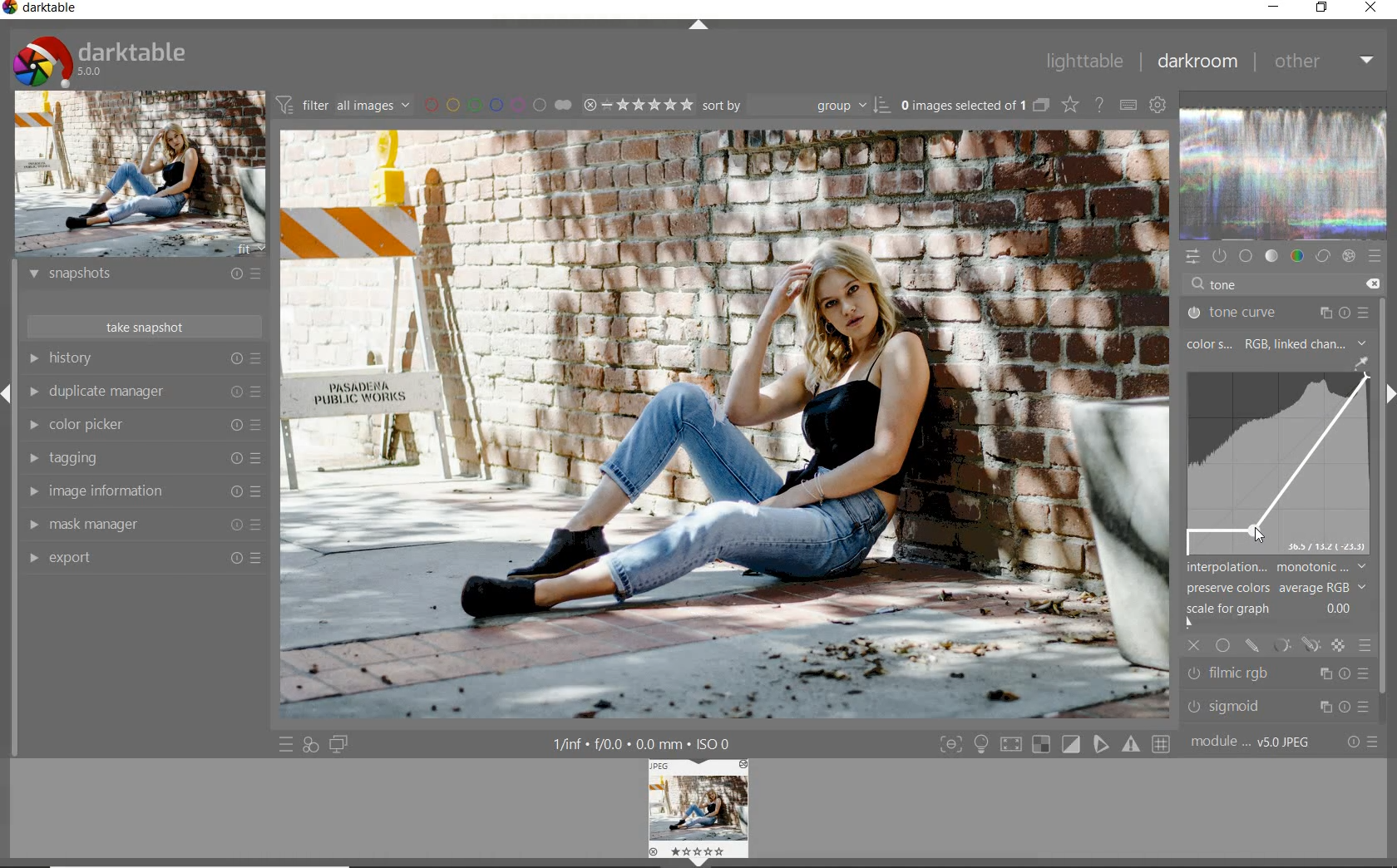  I want to click on tone curve map, so click(1278, 465).